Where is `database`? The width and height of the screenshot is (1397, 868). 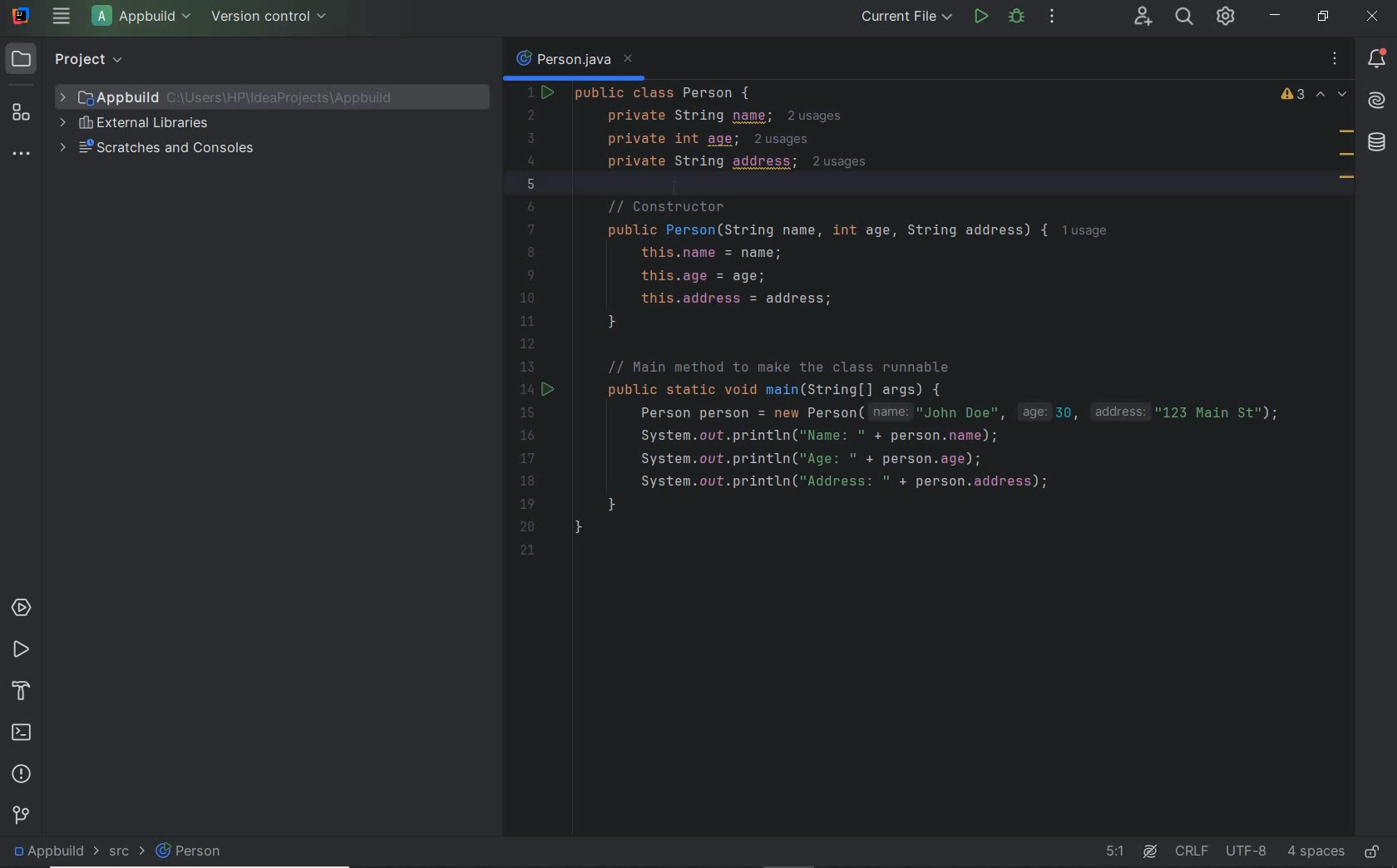
database is located at coordinates (1380, 144).